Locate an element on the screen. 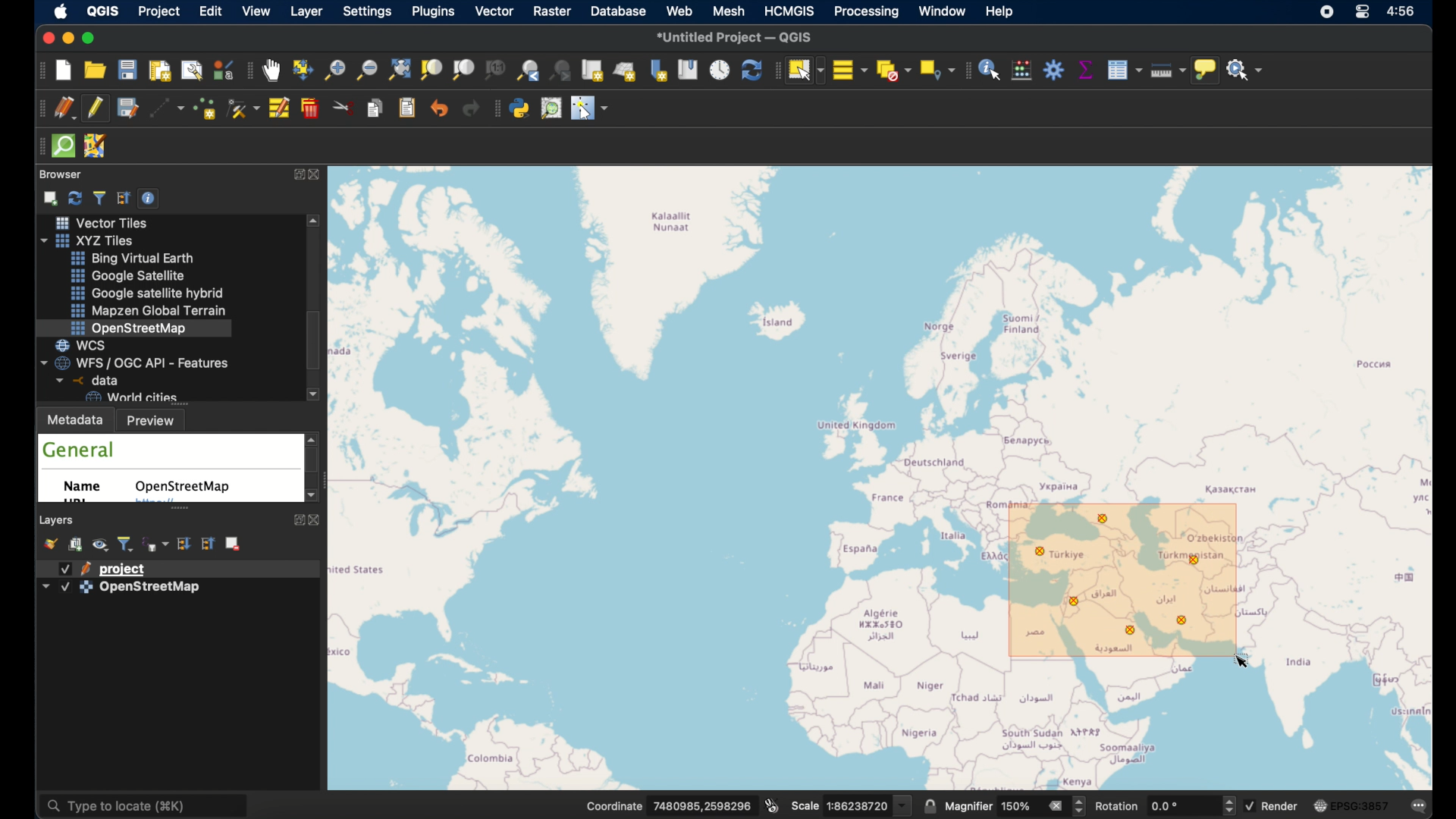 This screenshot has width=1456, height=819. select feature by area or single click is located at coordinates (805, 69).